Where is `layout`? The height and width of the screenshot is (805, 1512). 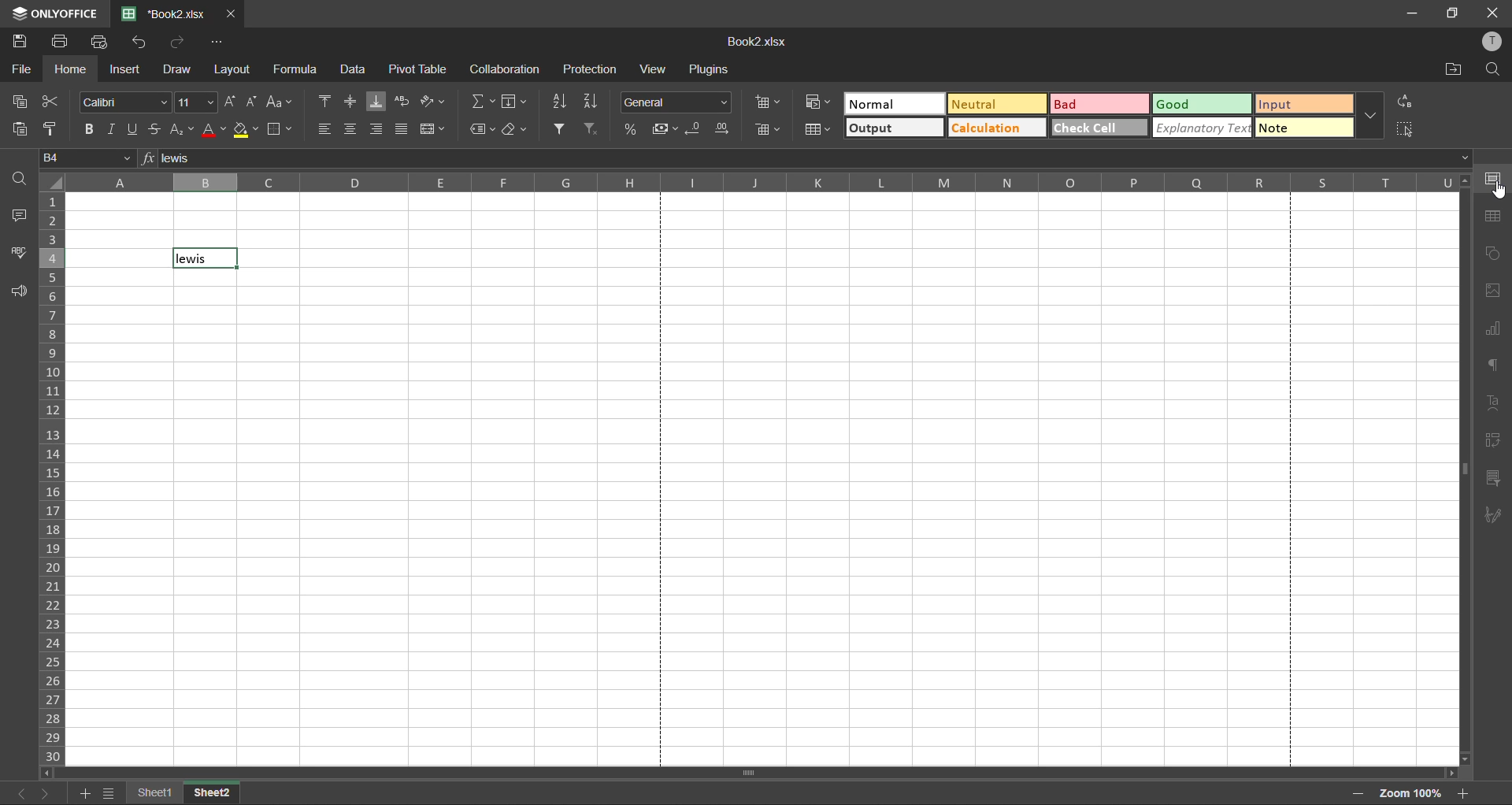
layout is located at coordinates (232, 69).